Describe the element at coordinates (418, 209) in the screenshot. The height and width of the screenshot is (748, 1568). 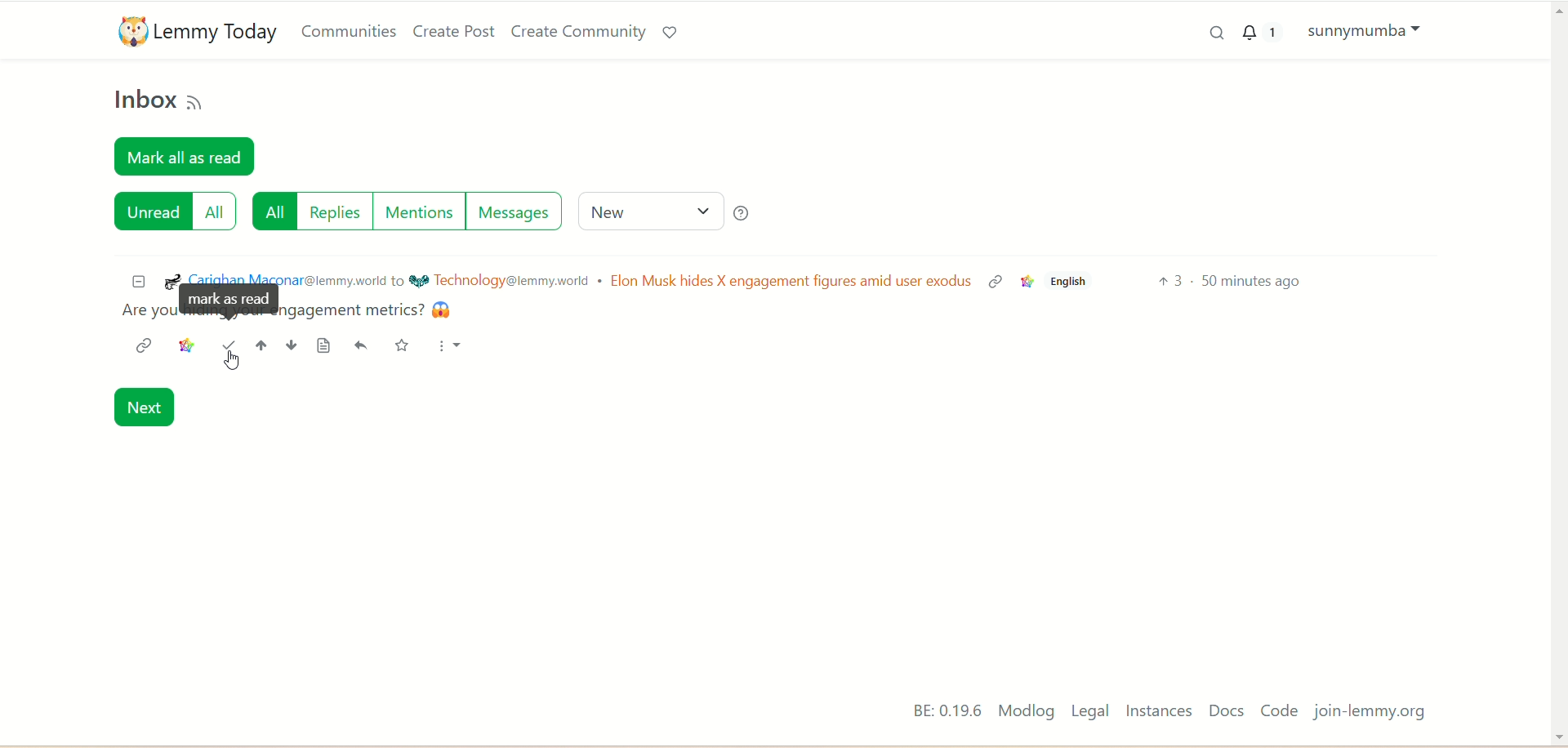
I see `mentions` at that location.